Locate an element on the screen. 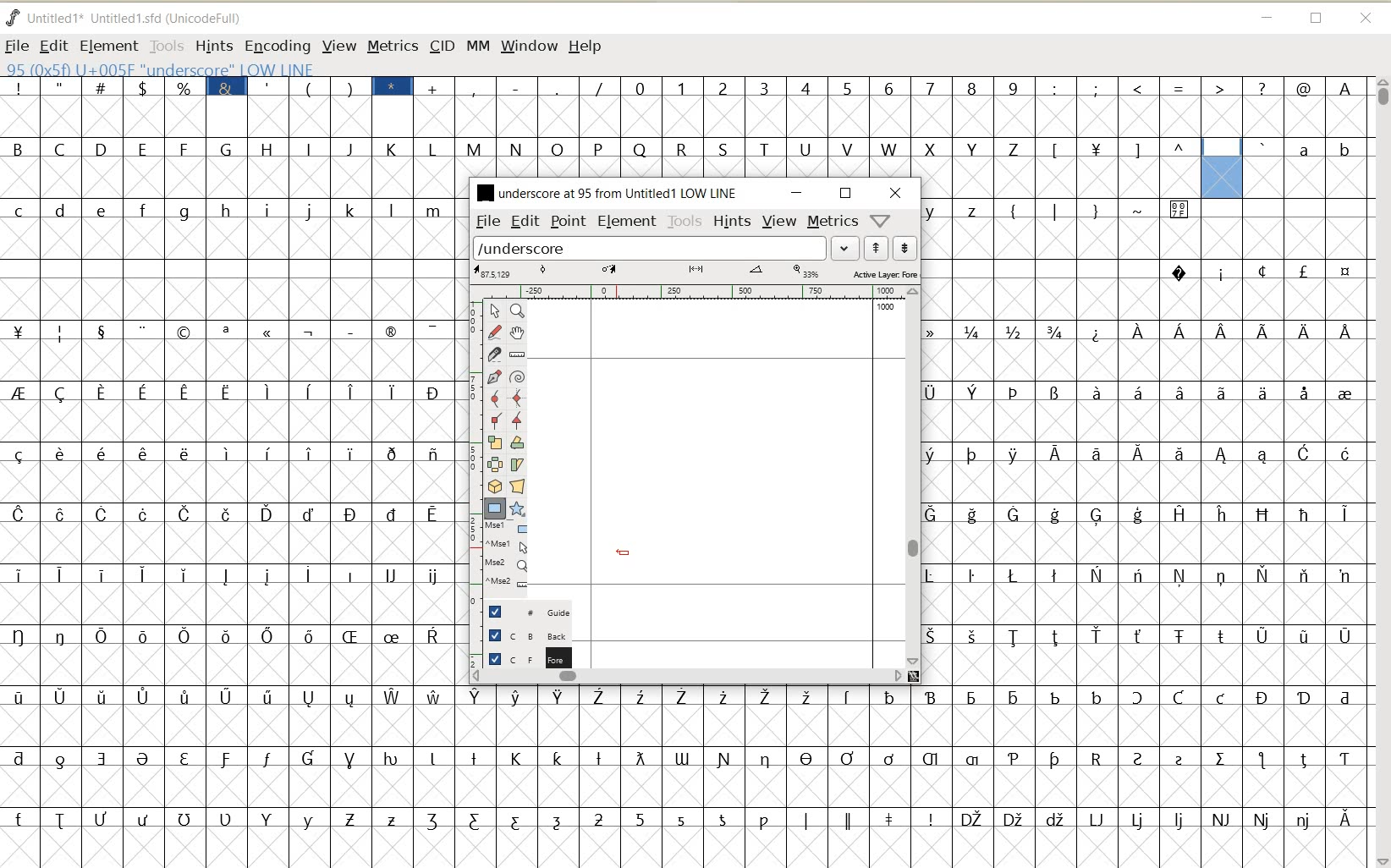  cut splines in two is located at coordinates (492, 354).